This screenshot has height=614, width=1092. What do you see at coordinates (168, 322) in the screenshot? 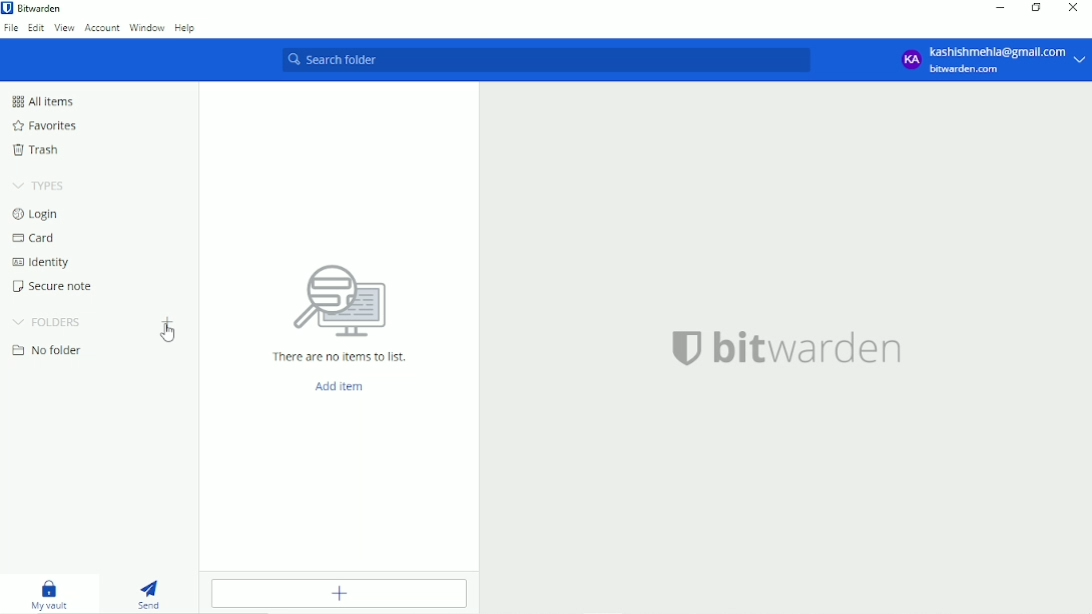
I see `Add folder` at bounding box center [168, 322].